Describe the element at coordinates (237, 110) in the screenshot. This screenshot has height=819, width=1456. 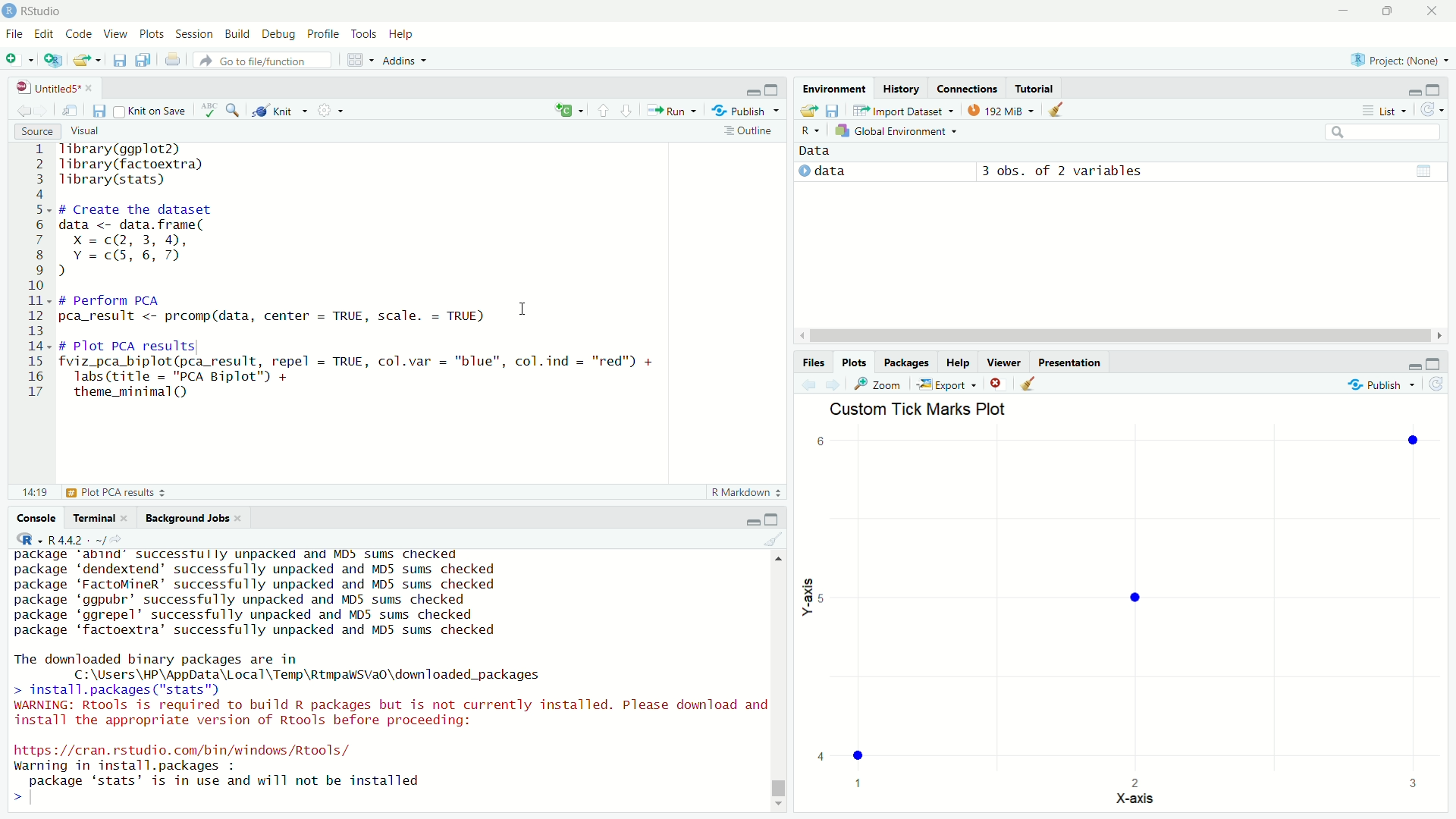
I see `find and replace` at that location.